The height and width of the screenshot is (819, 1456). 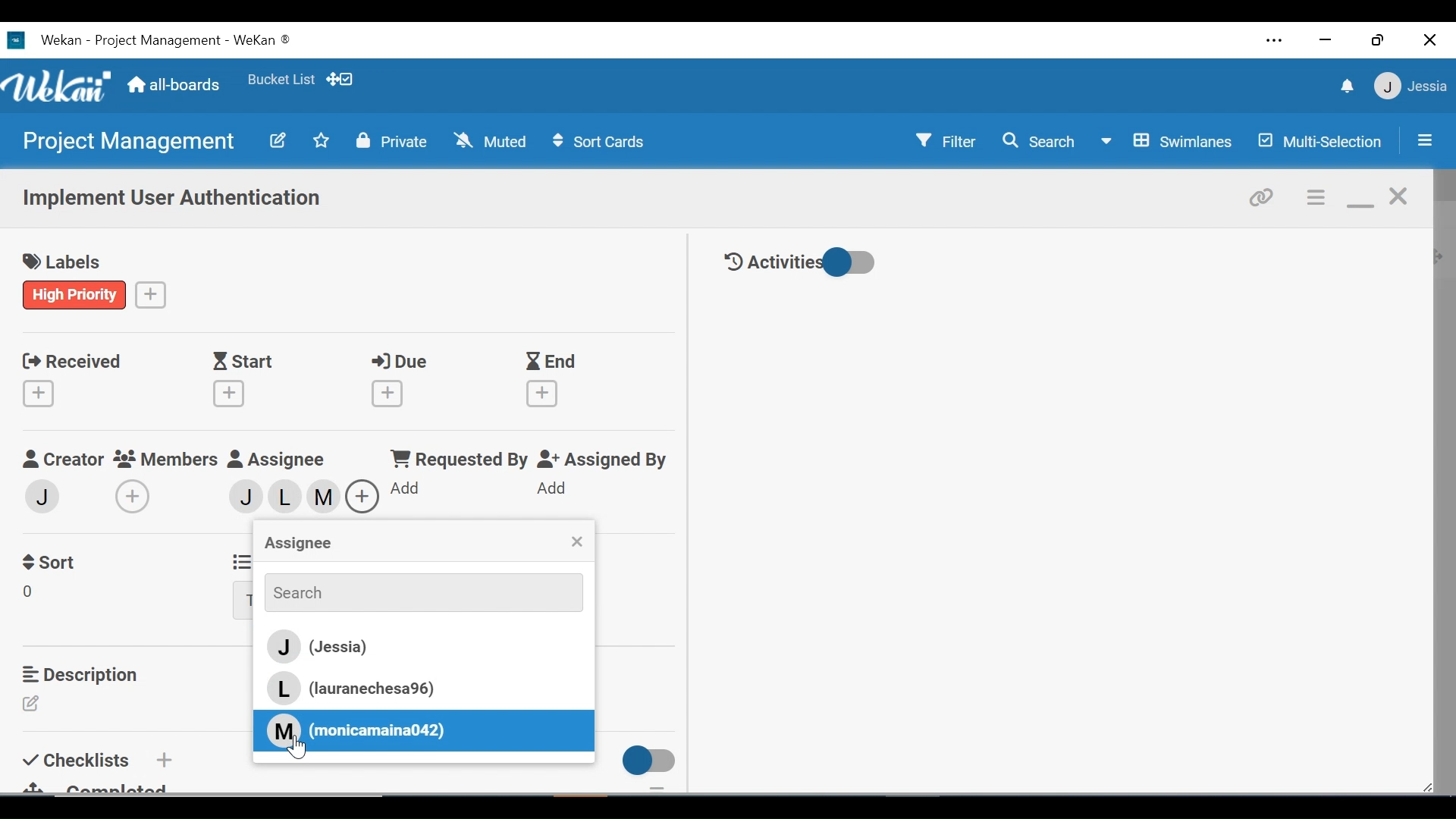 I want to click on bucket list, so click(x=281, y=80).